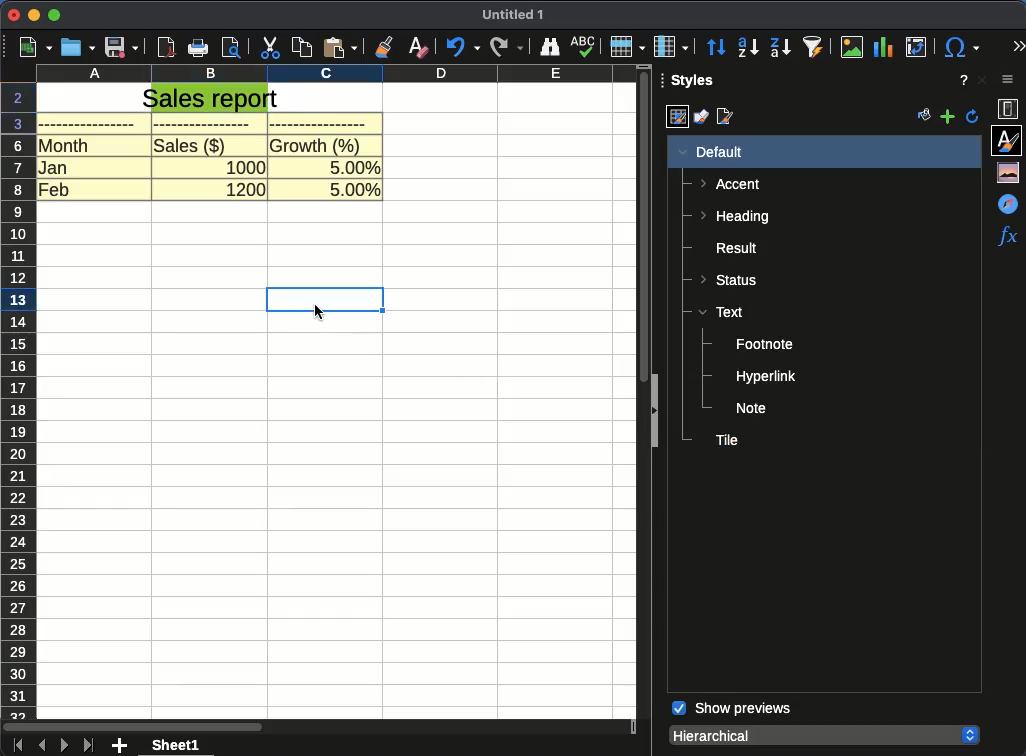  What do you see at coordinates (753, 408) in the screenshot?
I see `note` at bounding box center [753, 408].